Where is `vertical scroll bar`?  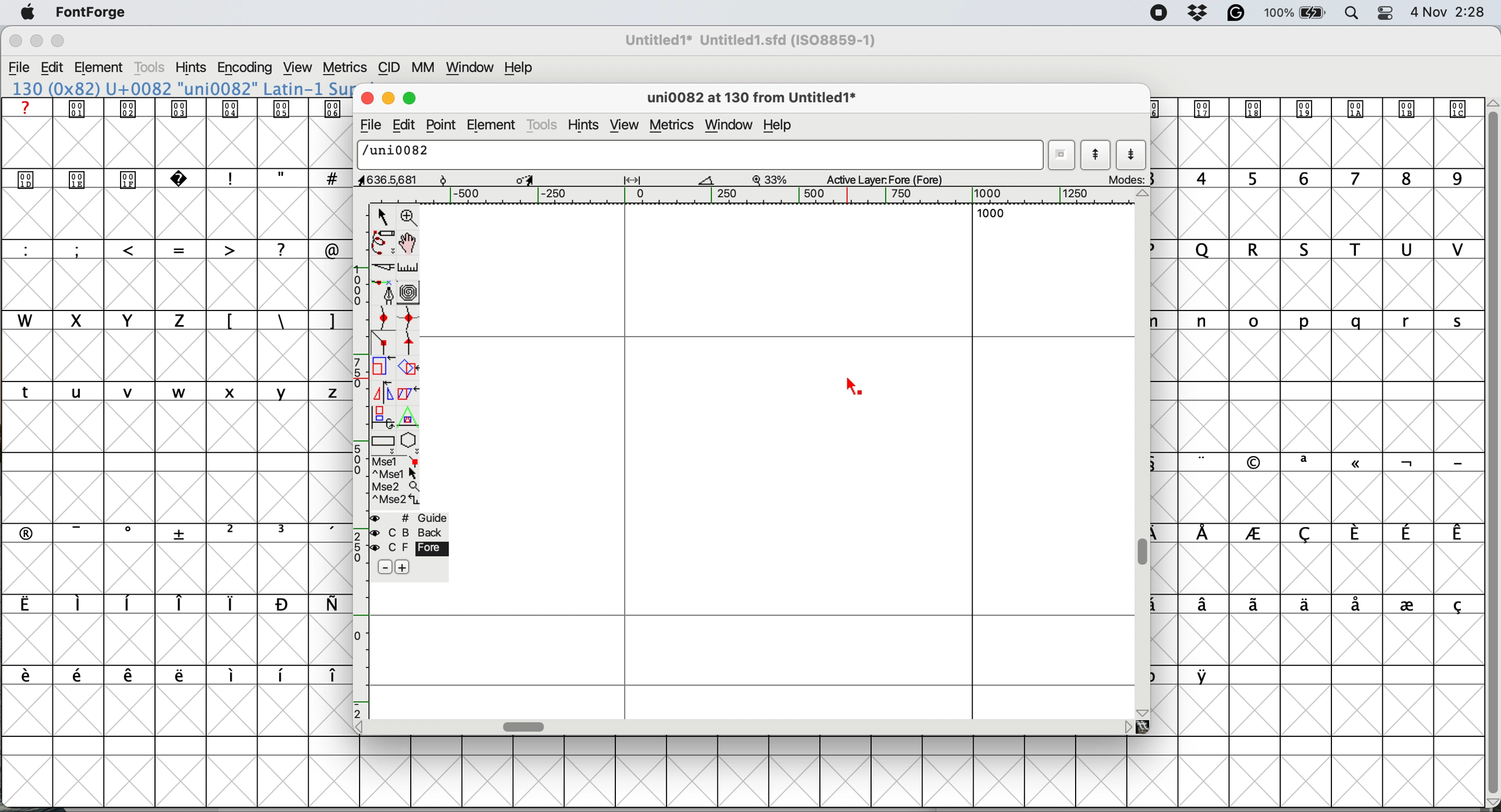
vertical scroll bar is located at coordinates (1491, 448).